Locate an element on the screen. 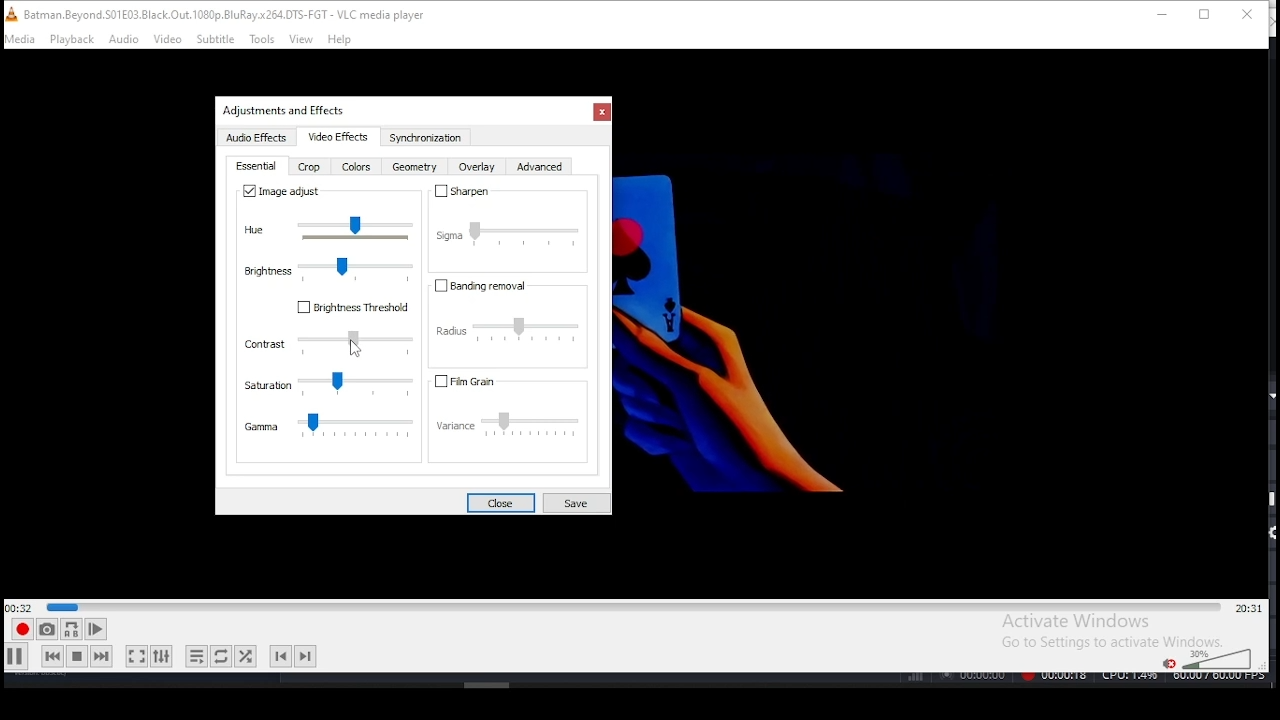 The width and height of the screenshot is (1280, 720). video is located at coordinates (168, 40).